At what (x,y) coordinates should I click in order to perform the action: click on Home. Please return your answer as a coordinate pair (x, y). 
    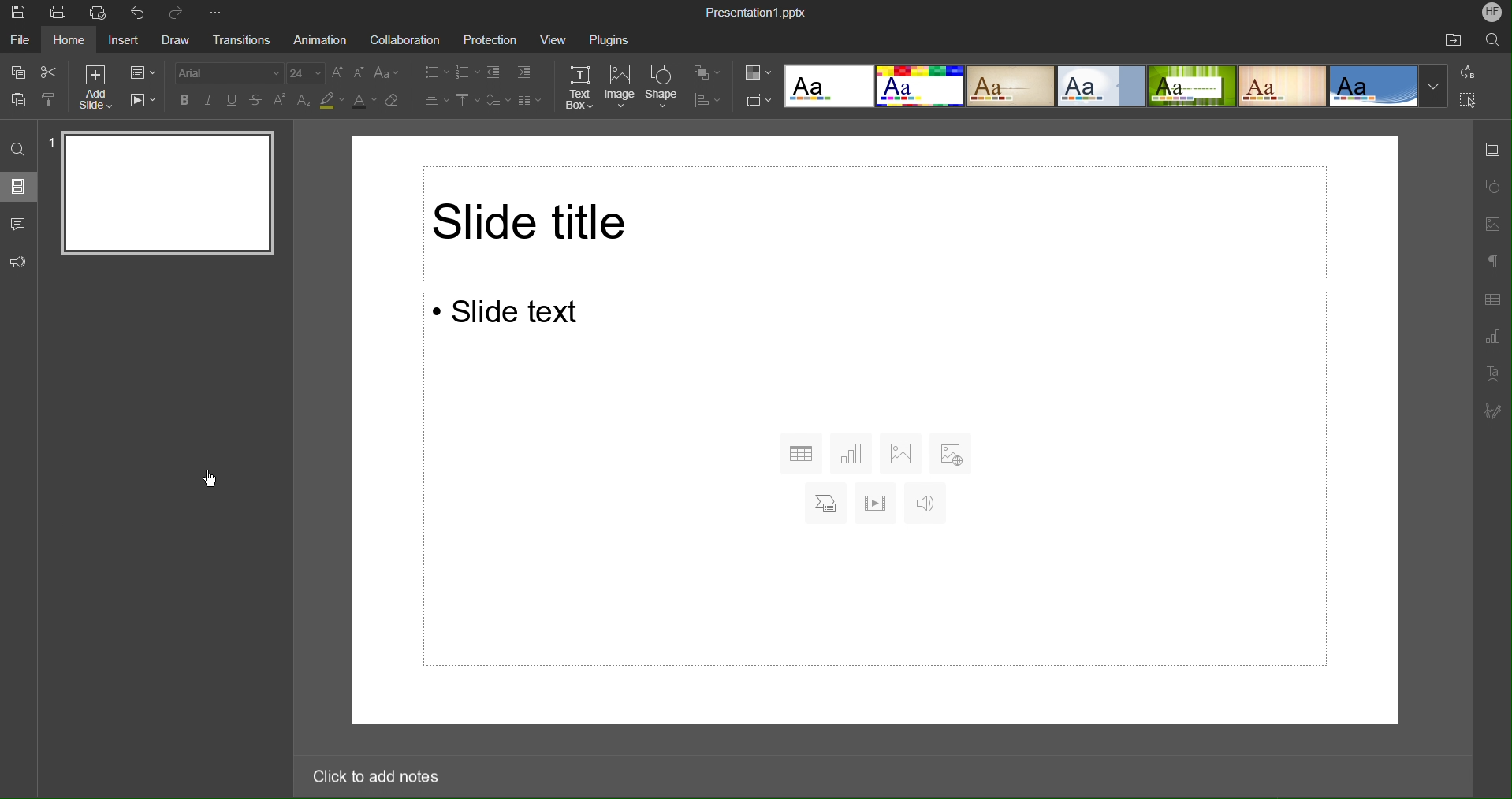
    Looking at the image, I should click on (71, 40).